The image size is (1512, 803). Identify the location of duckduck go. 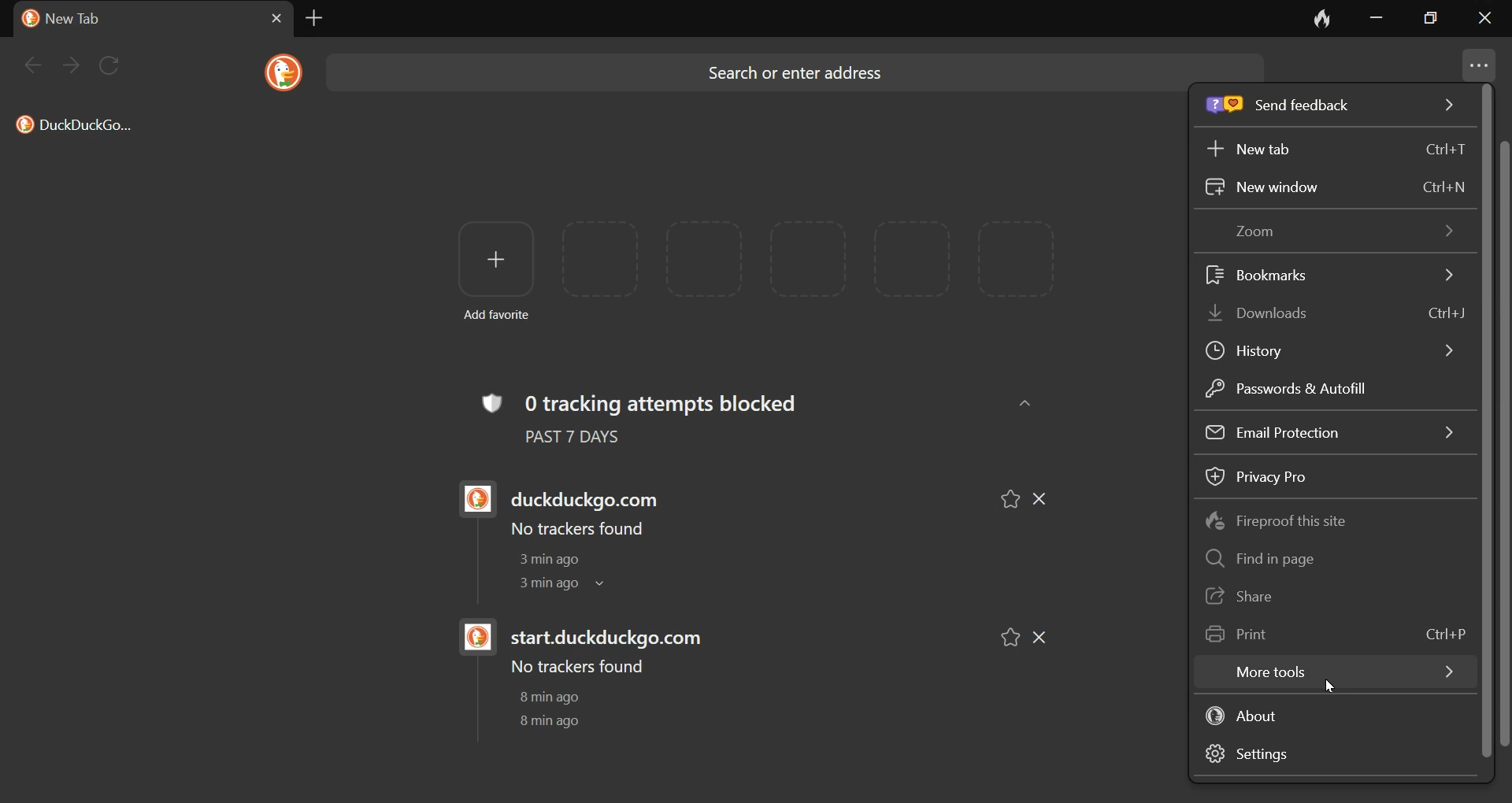
(27, 18).